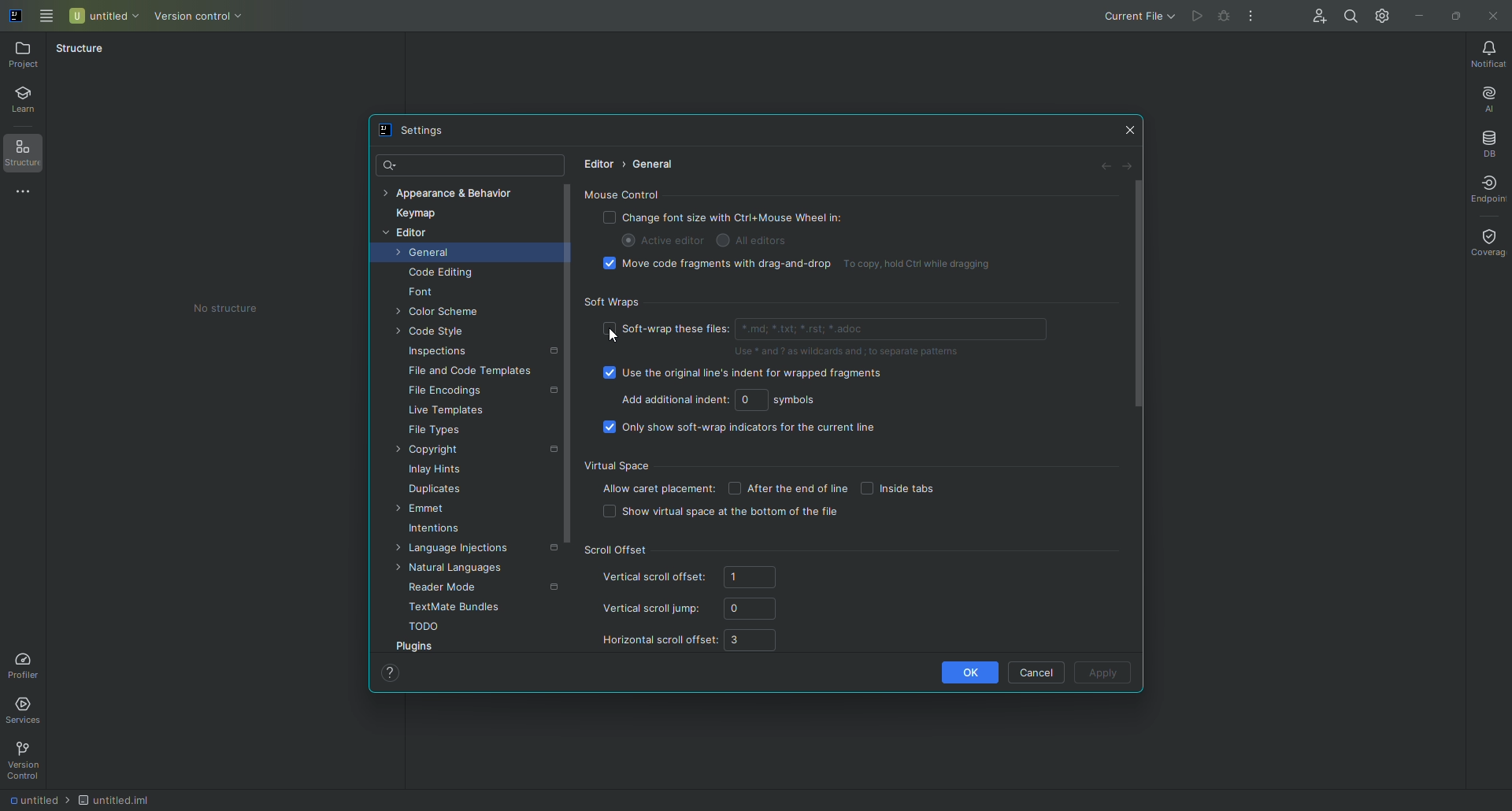  Describe the element at coordinates (1418, 15) in the screenshot. I see `Minimize` at that location.